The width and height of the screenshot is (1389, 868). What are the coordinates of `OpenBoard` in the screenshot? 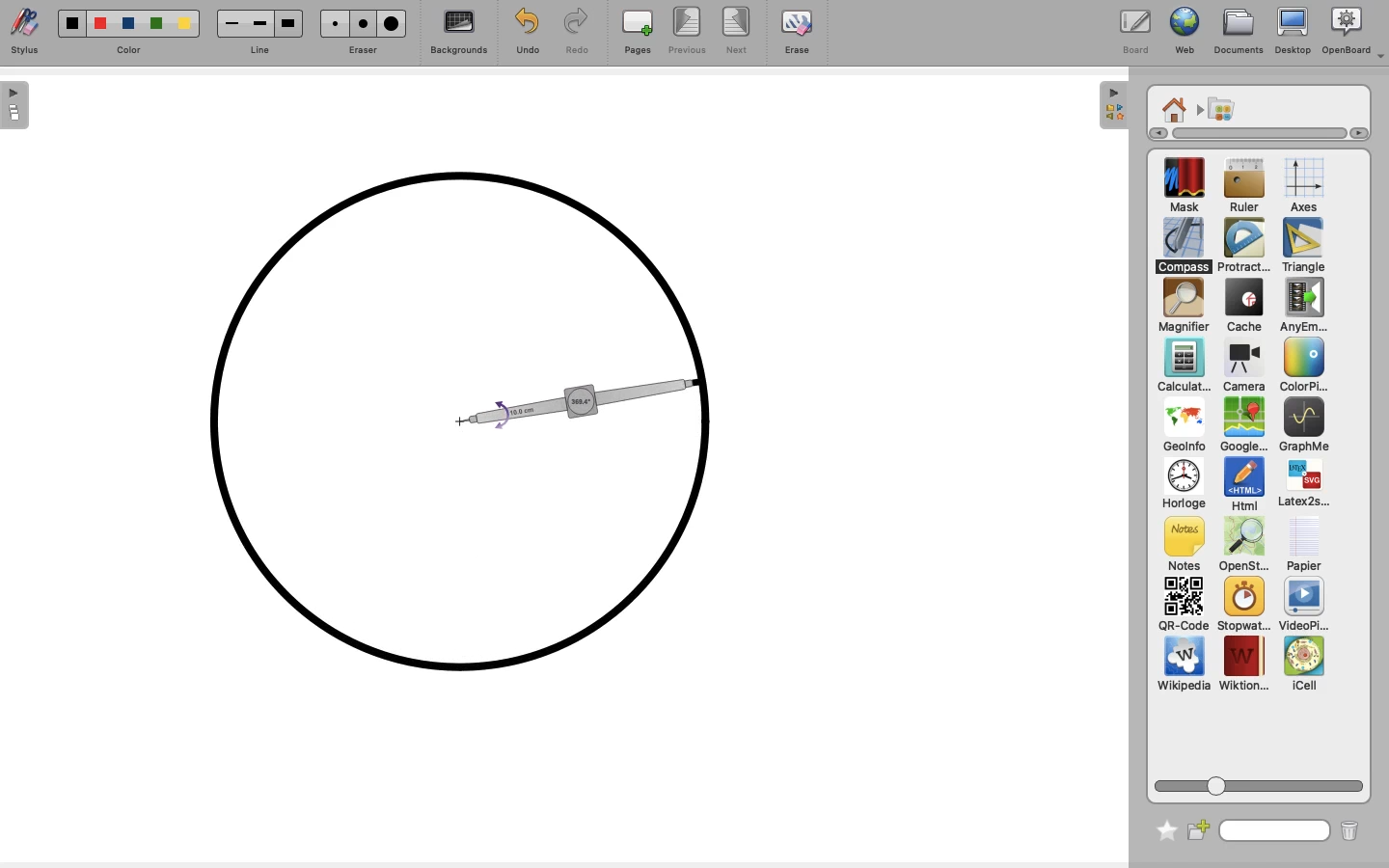 It's located at (1353, 32).